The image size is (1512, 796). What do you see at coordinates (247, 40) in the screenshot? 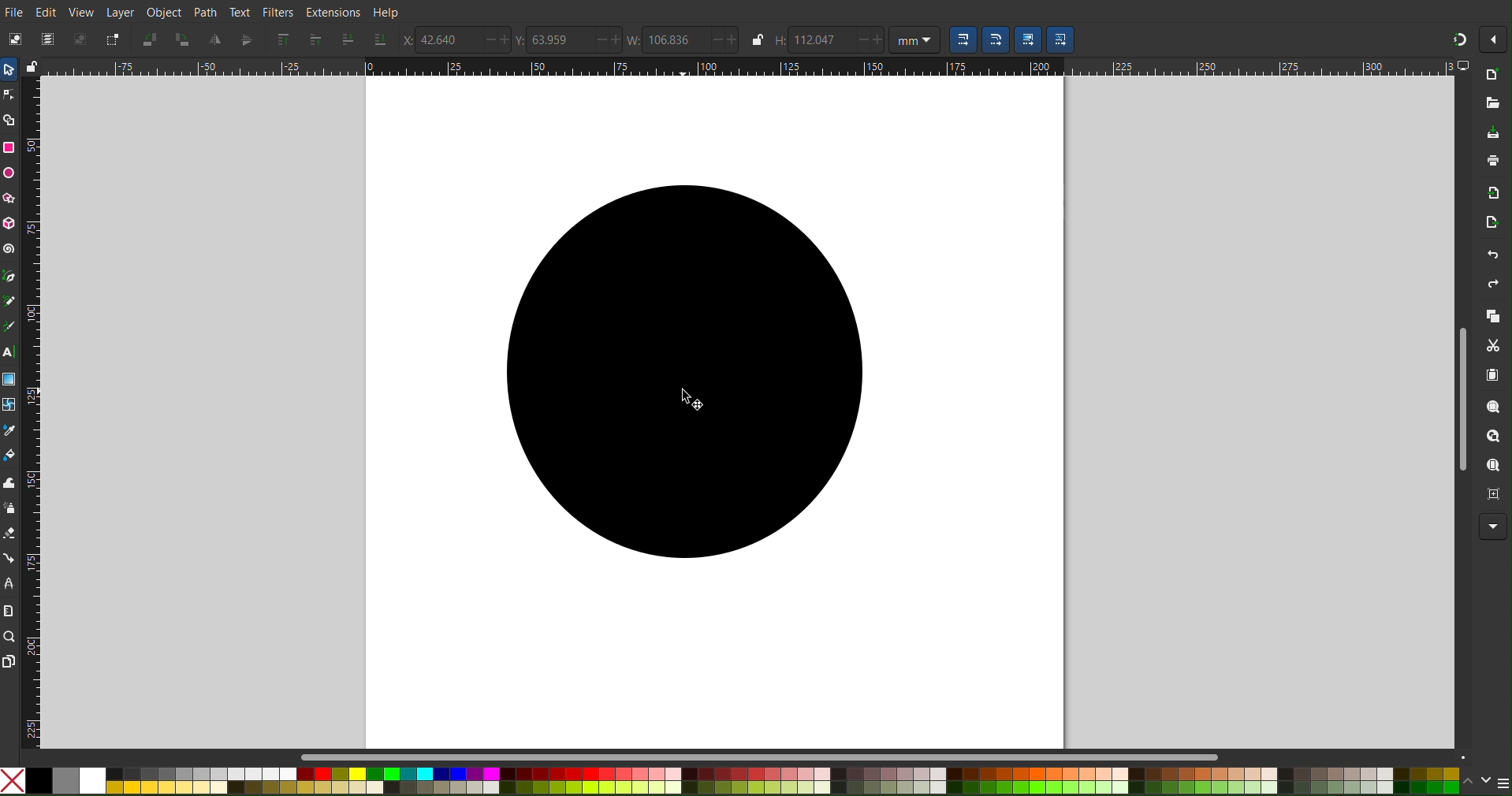
I see `Mirror Horizontally` at bounding box center [247, 40].